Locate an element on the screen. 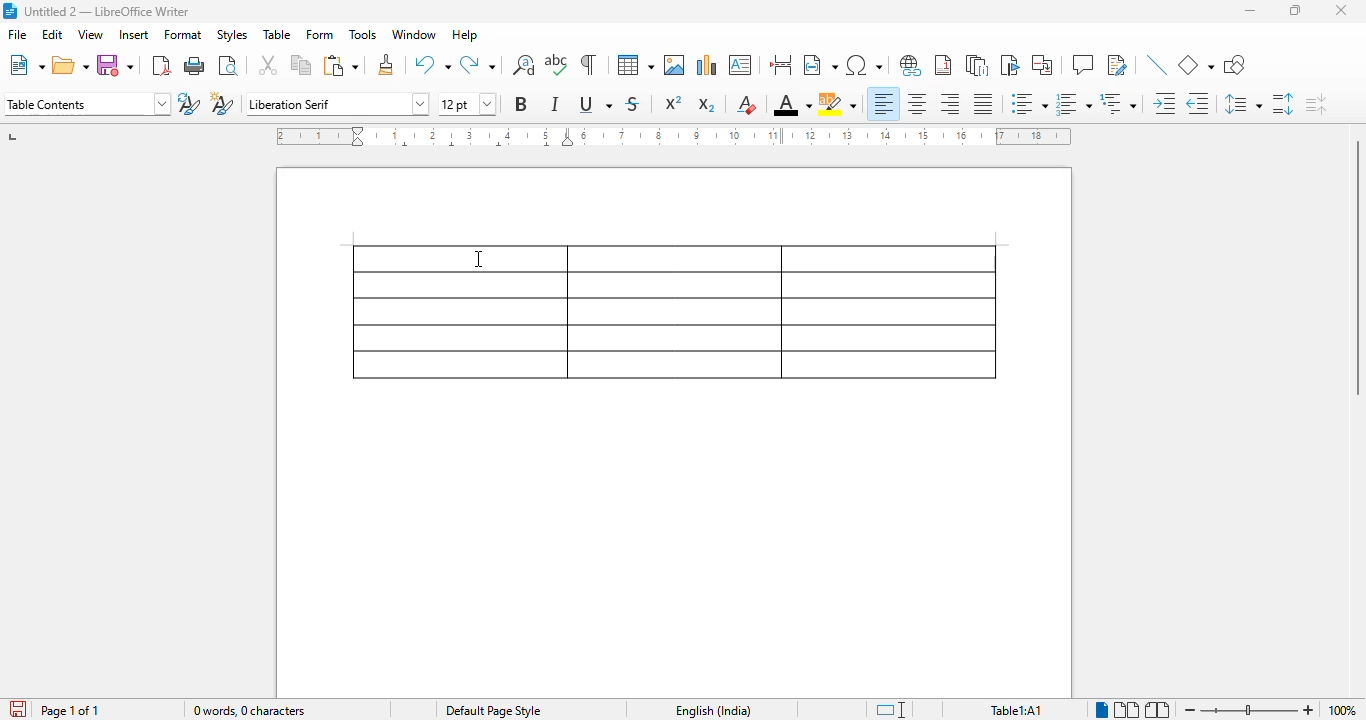  bold is located at coordinates (521, 103).